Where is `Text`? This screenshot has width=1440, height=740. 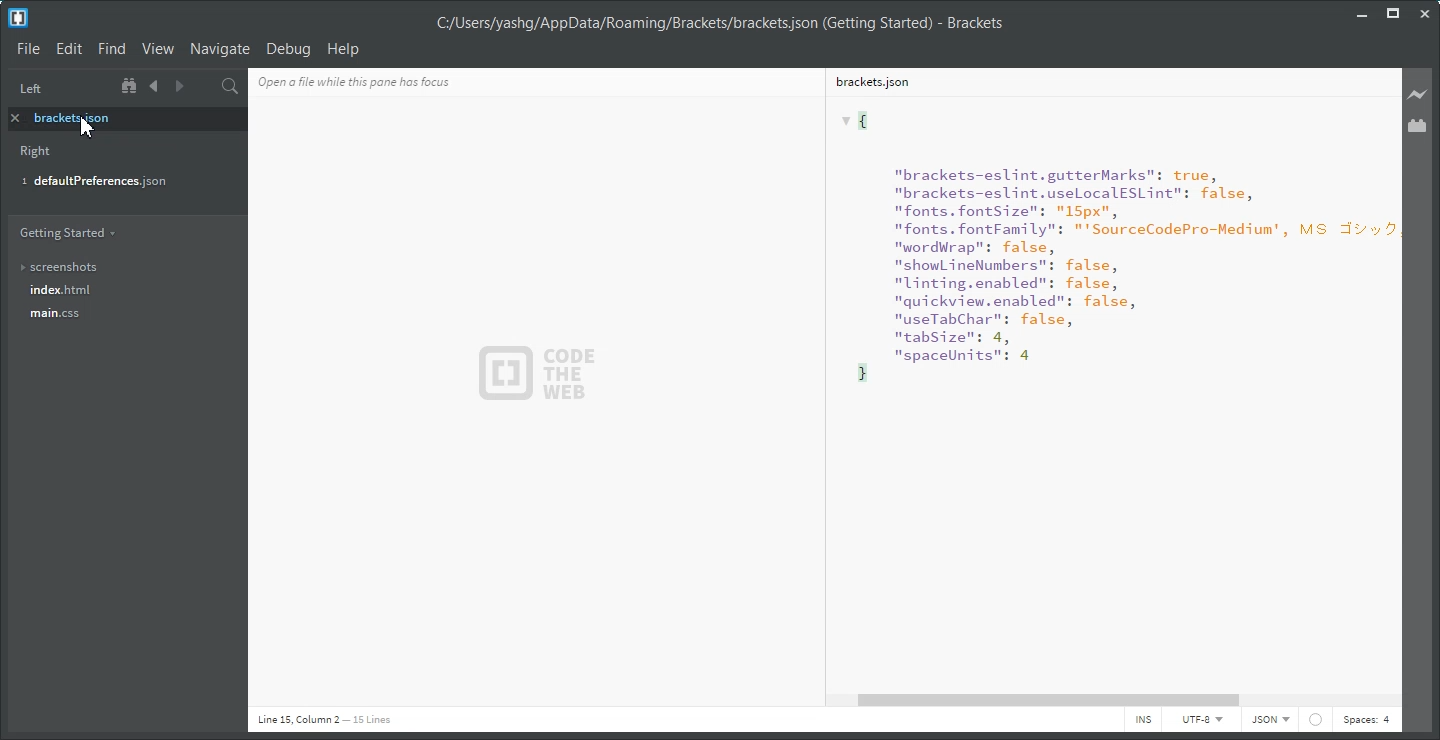 Text is located at coordinates (324, 720).